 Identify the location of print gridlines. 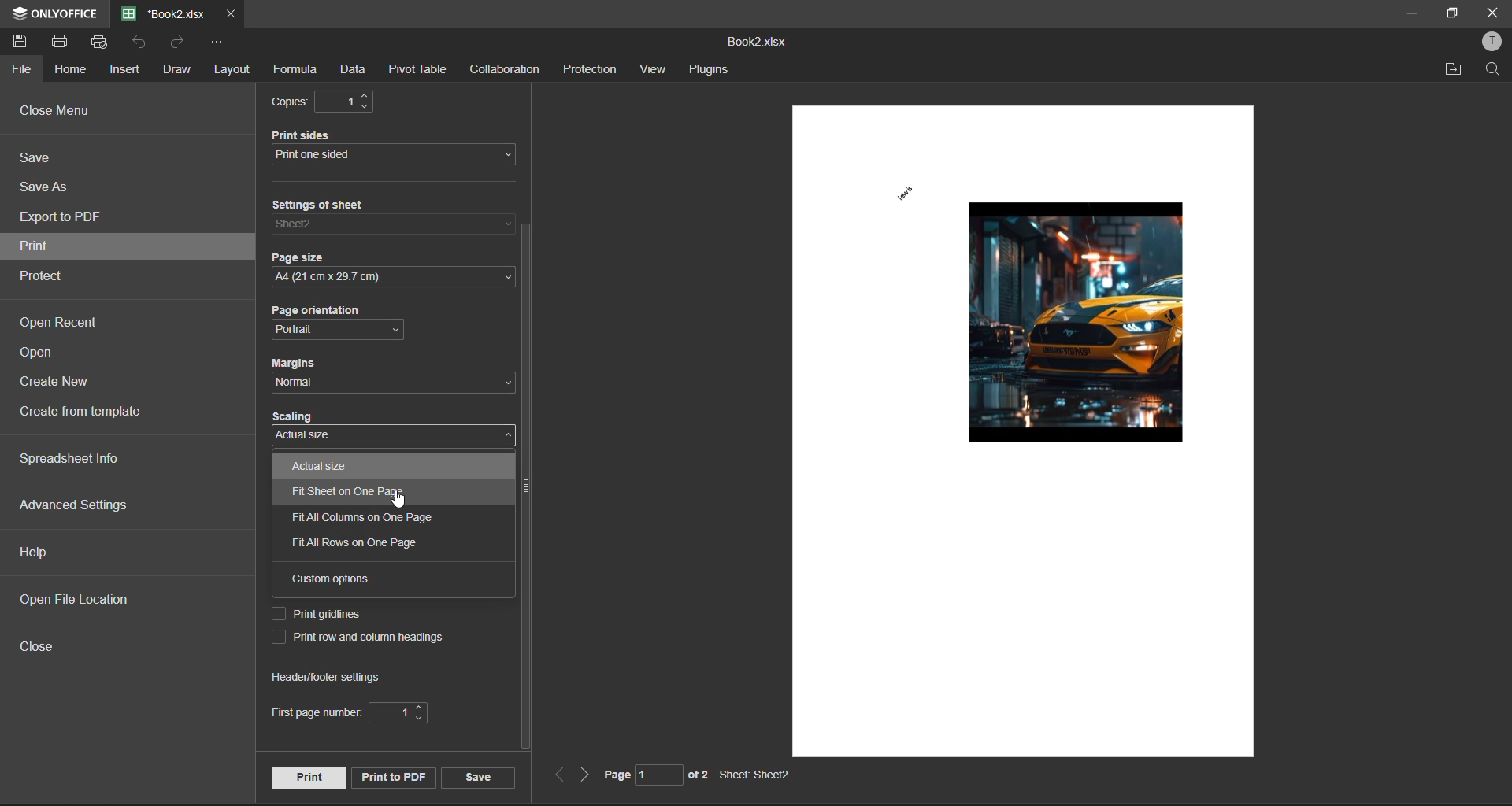
(325, 614).